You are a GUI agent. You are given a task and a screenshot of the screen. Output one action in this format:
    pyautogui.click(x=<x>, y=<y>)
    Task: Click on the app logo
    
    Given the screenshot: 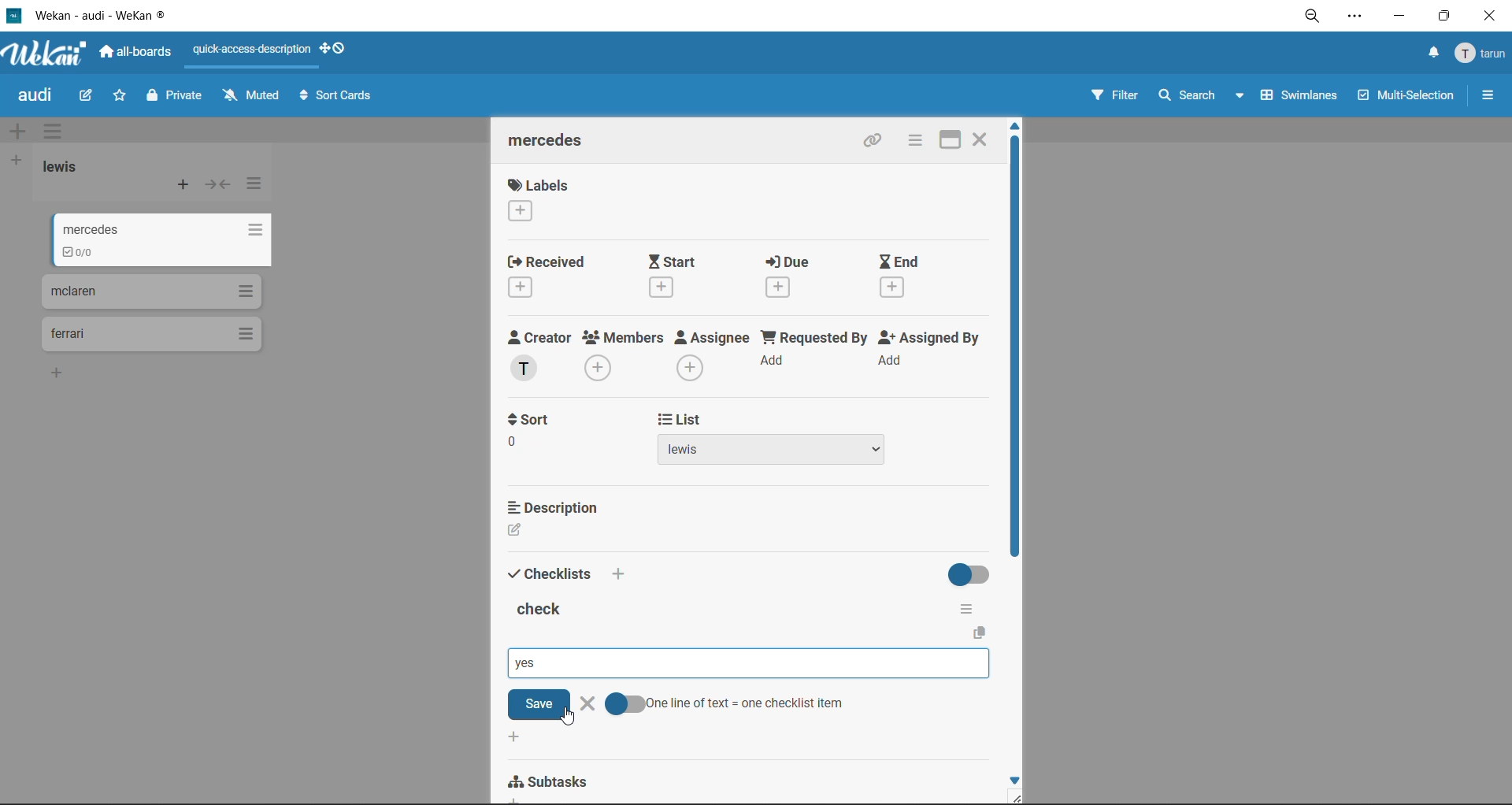 What is the action you would take?
    pyautogui.click(x=46, y=55)
    